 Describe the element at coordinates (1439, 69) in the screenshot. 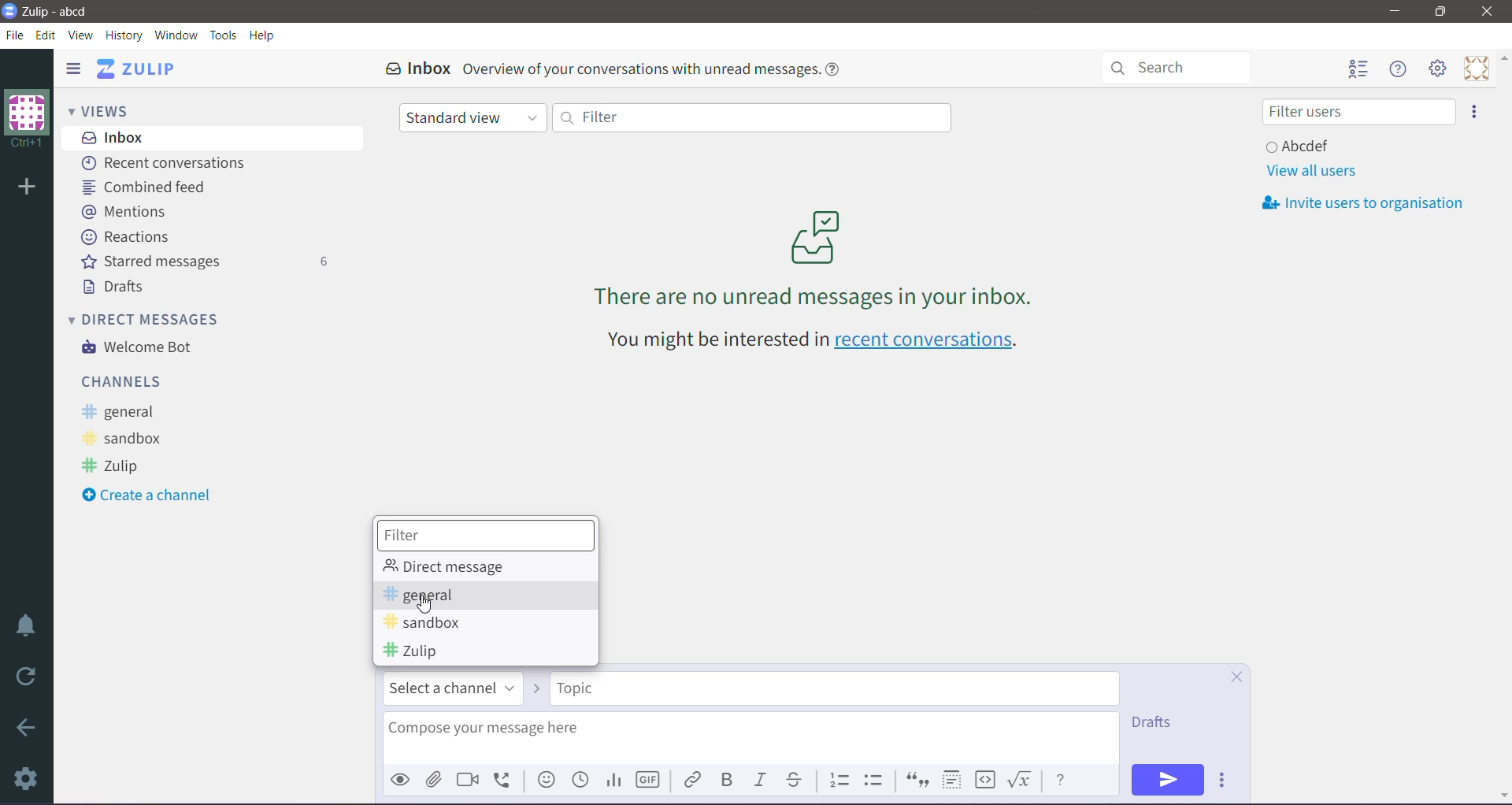

I see `Main Menu` at that location.